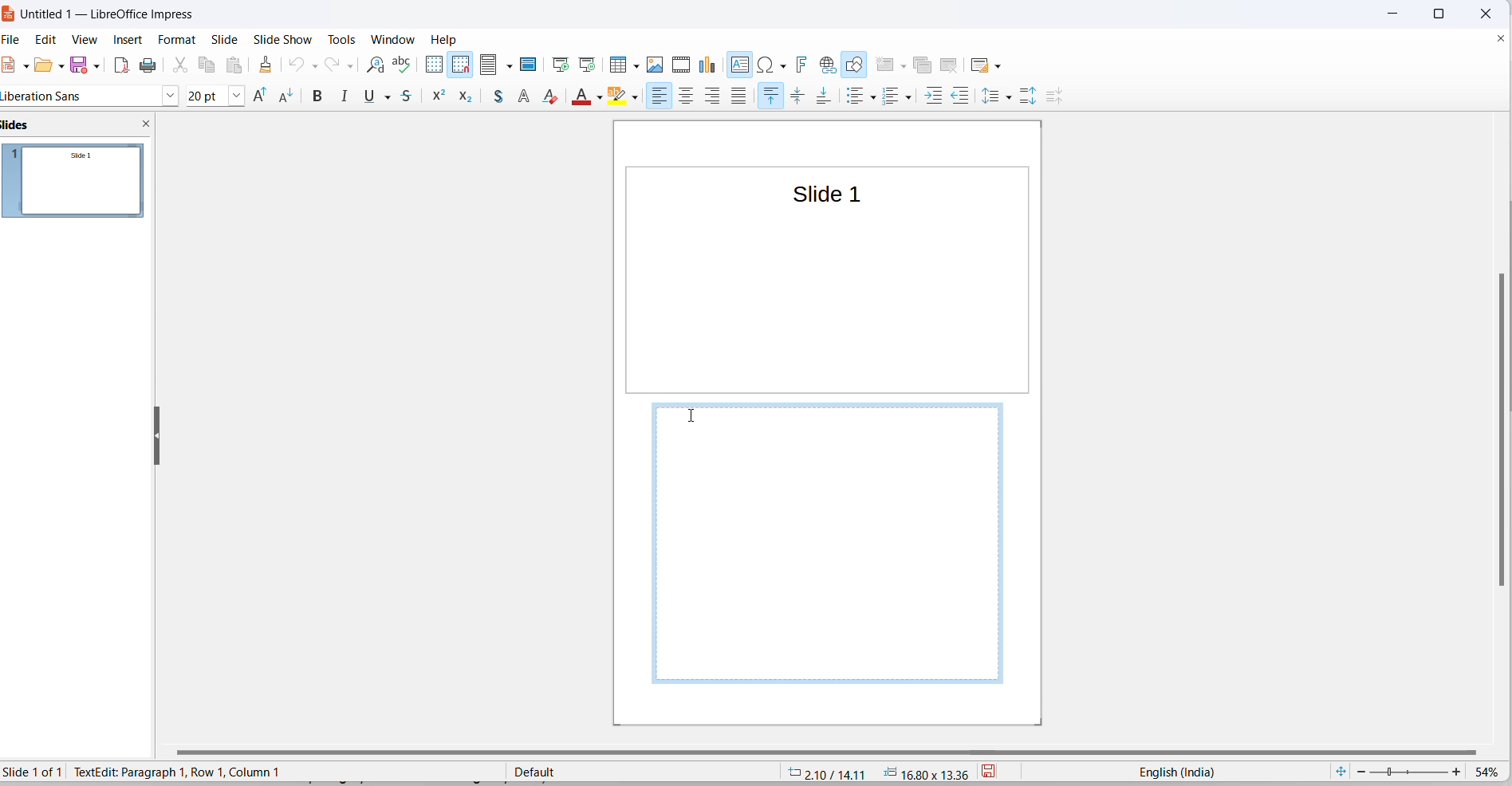 This screenshot has width=1512, height=786. I want to click on toggle endpoint edit mode, so click(826, 97).